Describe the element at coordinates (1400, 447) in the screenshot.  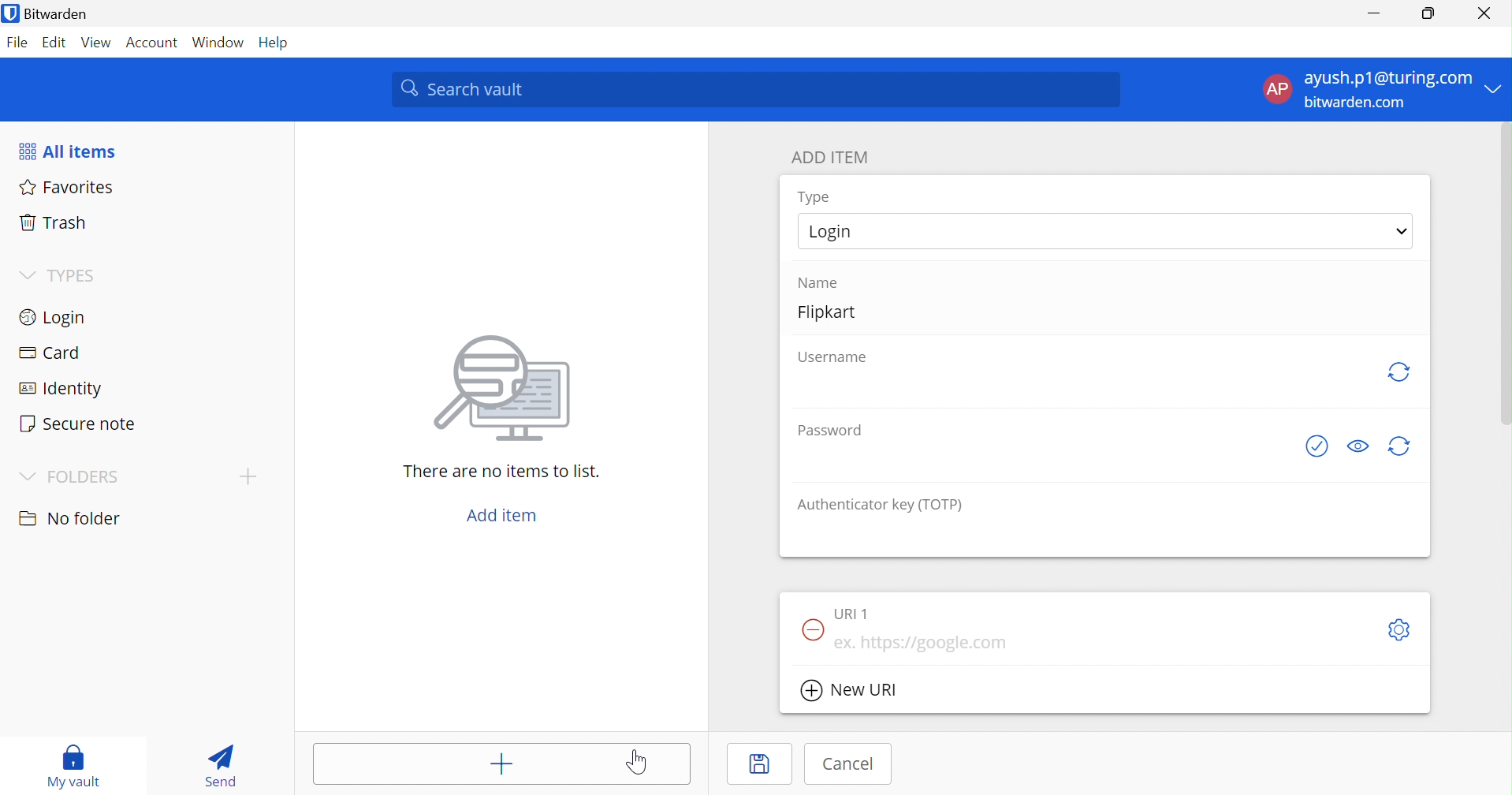
I see `generate password` at that location.